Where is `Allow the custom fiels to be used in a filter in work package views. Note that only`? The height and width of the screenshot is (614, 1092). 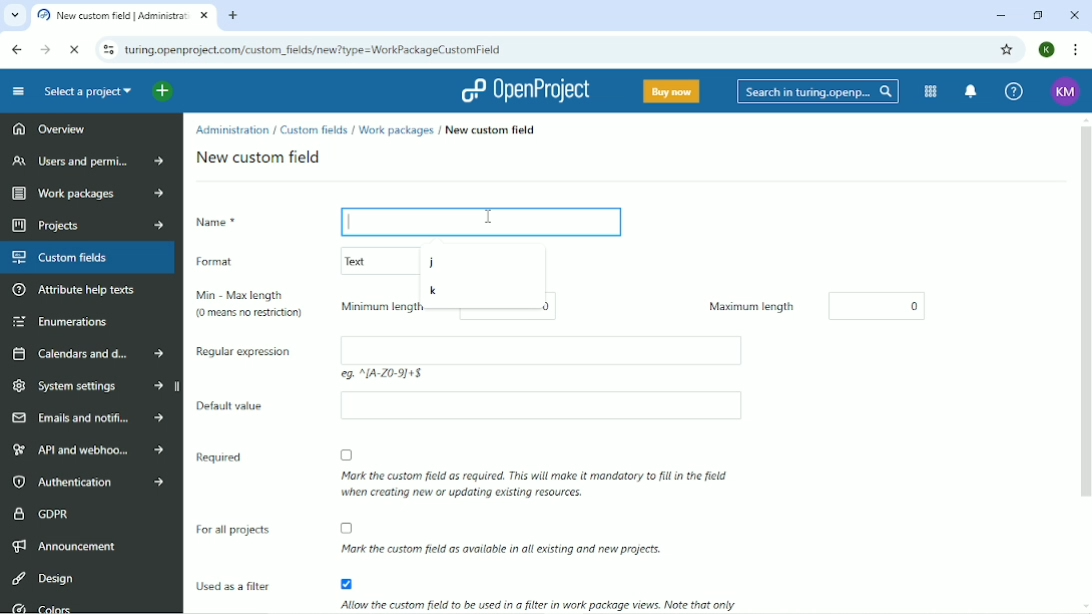
Allow the custom fiels to be used in a filter in work package views. Note that only is located at coordinates (531, 593).